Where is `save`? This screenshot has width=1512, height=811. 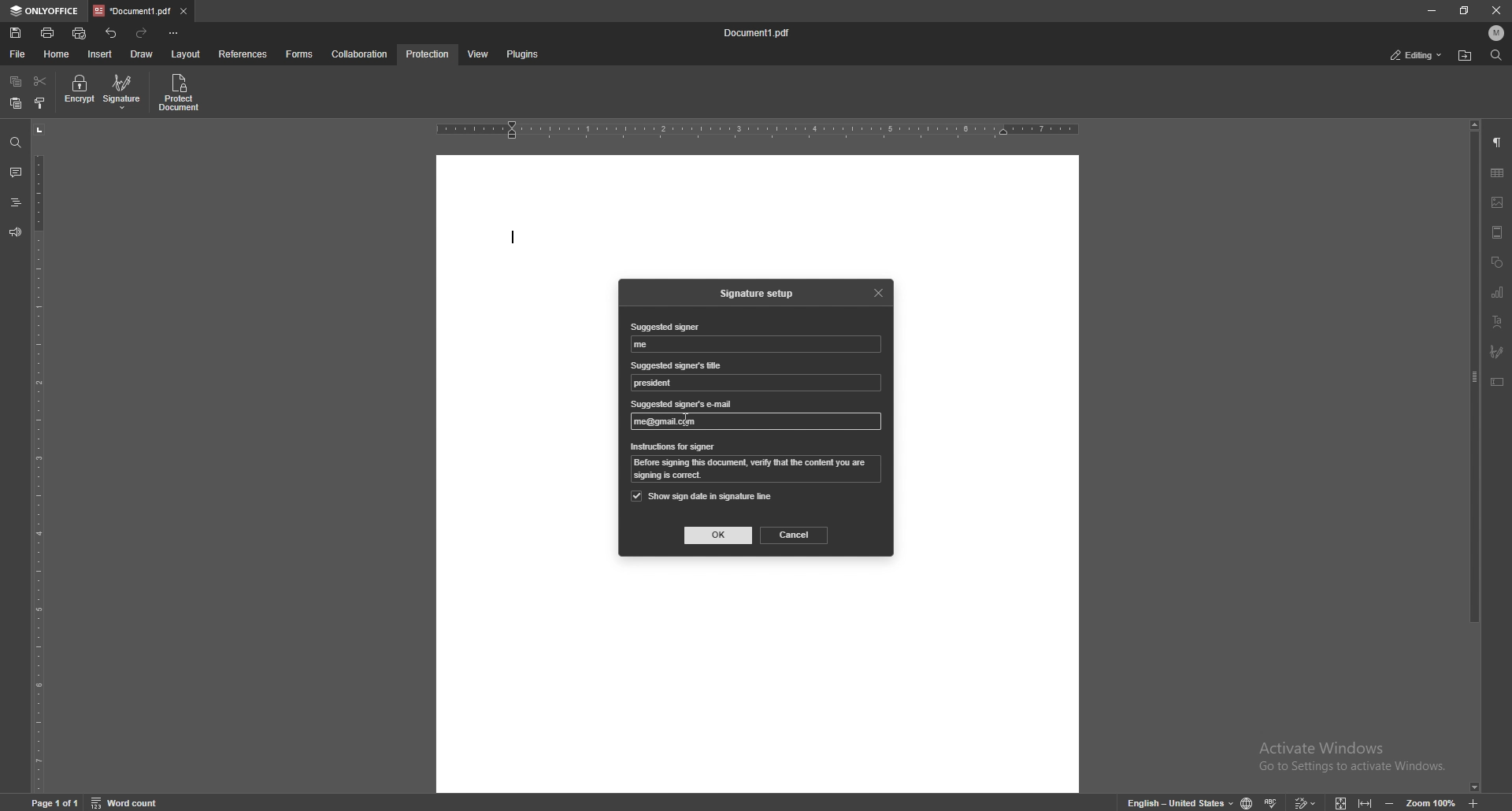
save is located at coordinates (17, 33).